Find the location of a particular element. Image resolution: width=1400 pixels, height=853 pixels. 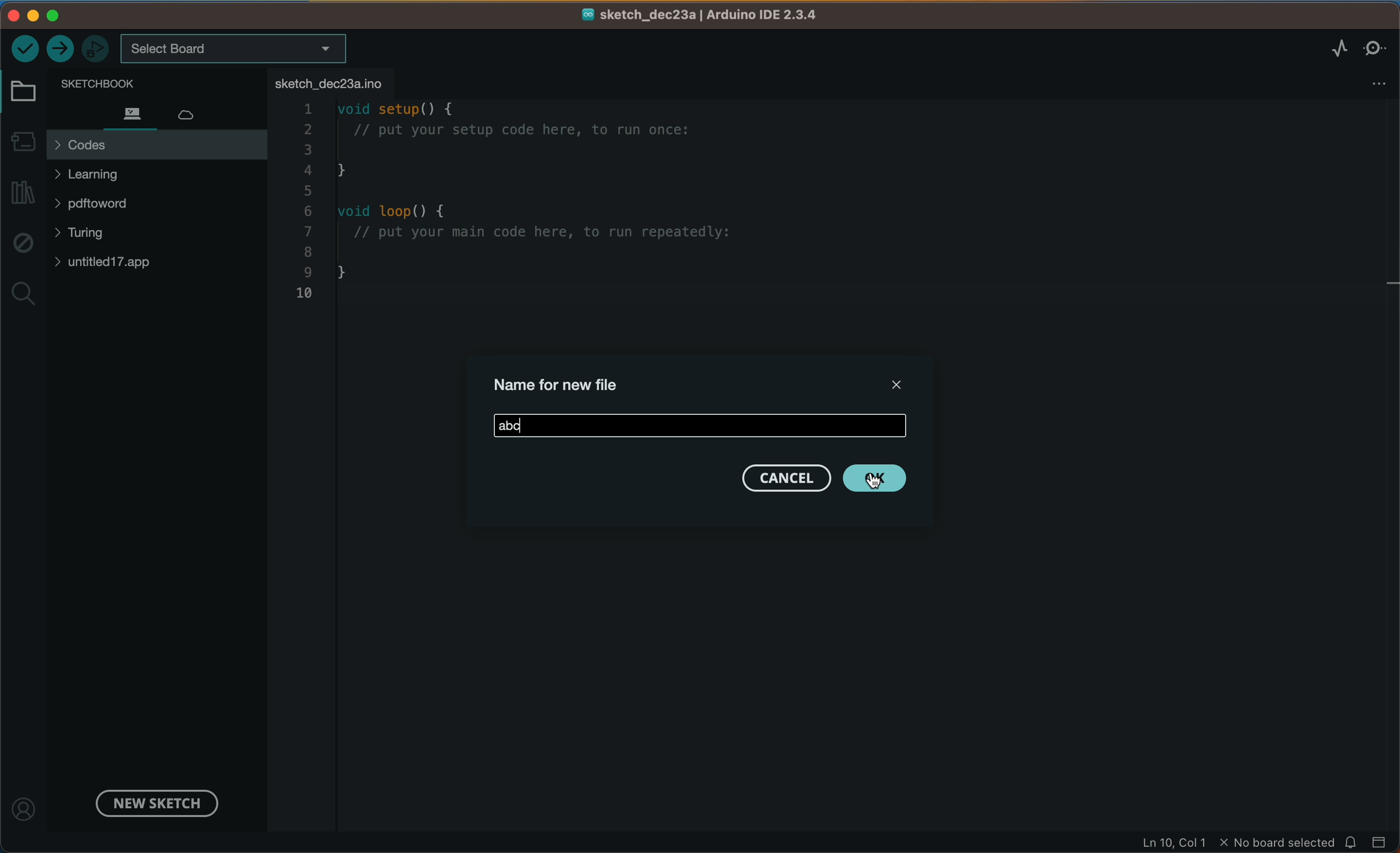

abc is located at coordinates (700, 425).